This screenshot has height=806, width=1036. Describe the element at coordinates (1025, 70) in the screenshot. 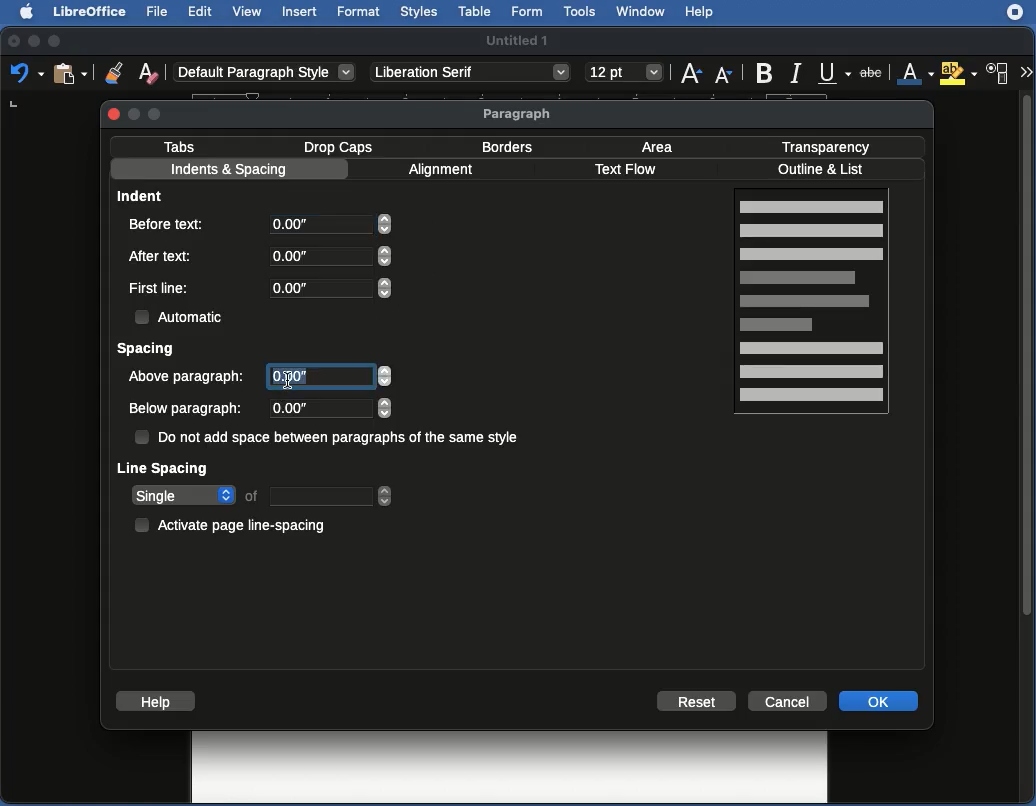

I see `More` at that location.